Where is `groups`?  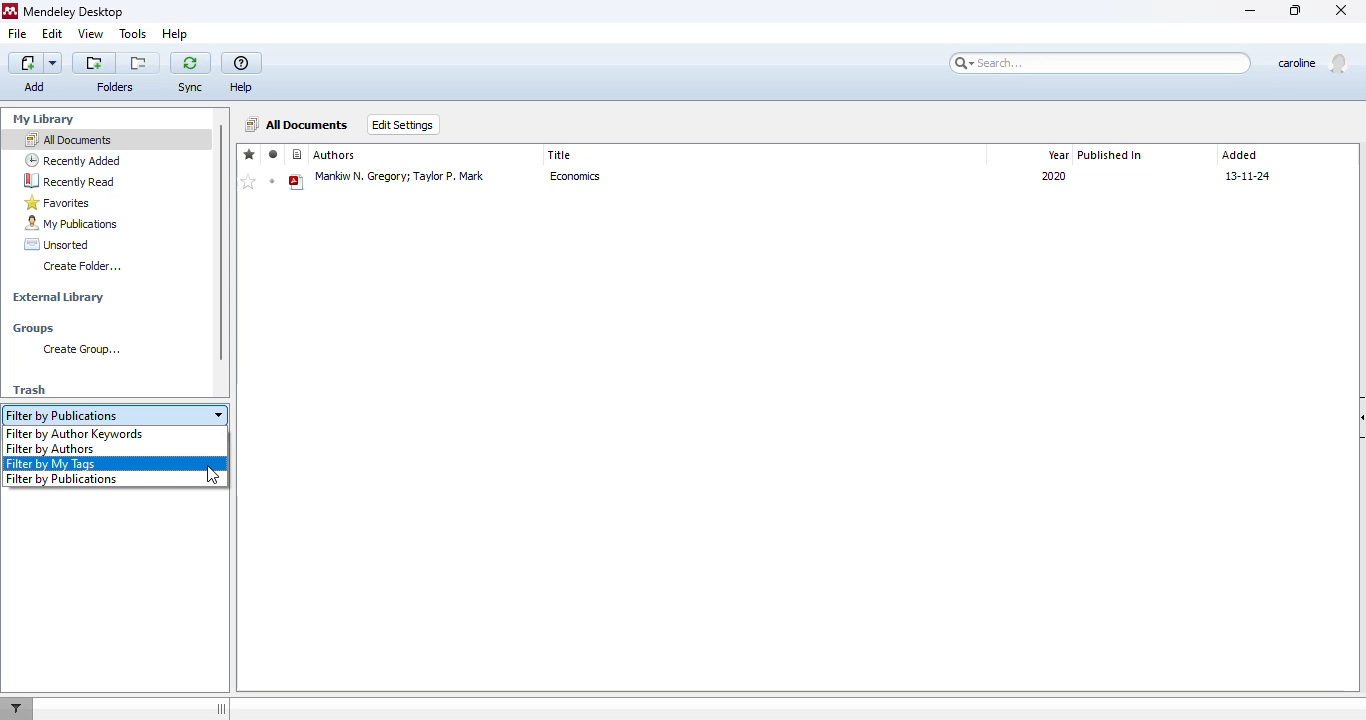 groups is located at coordinates (34, 328).